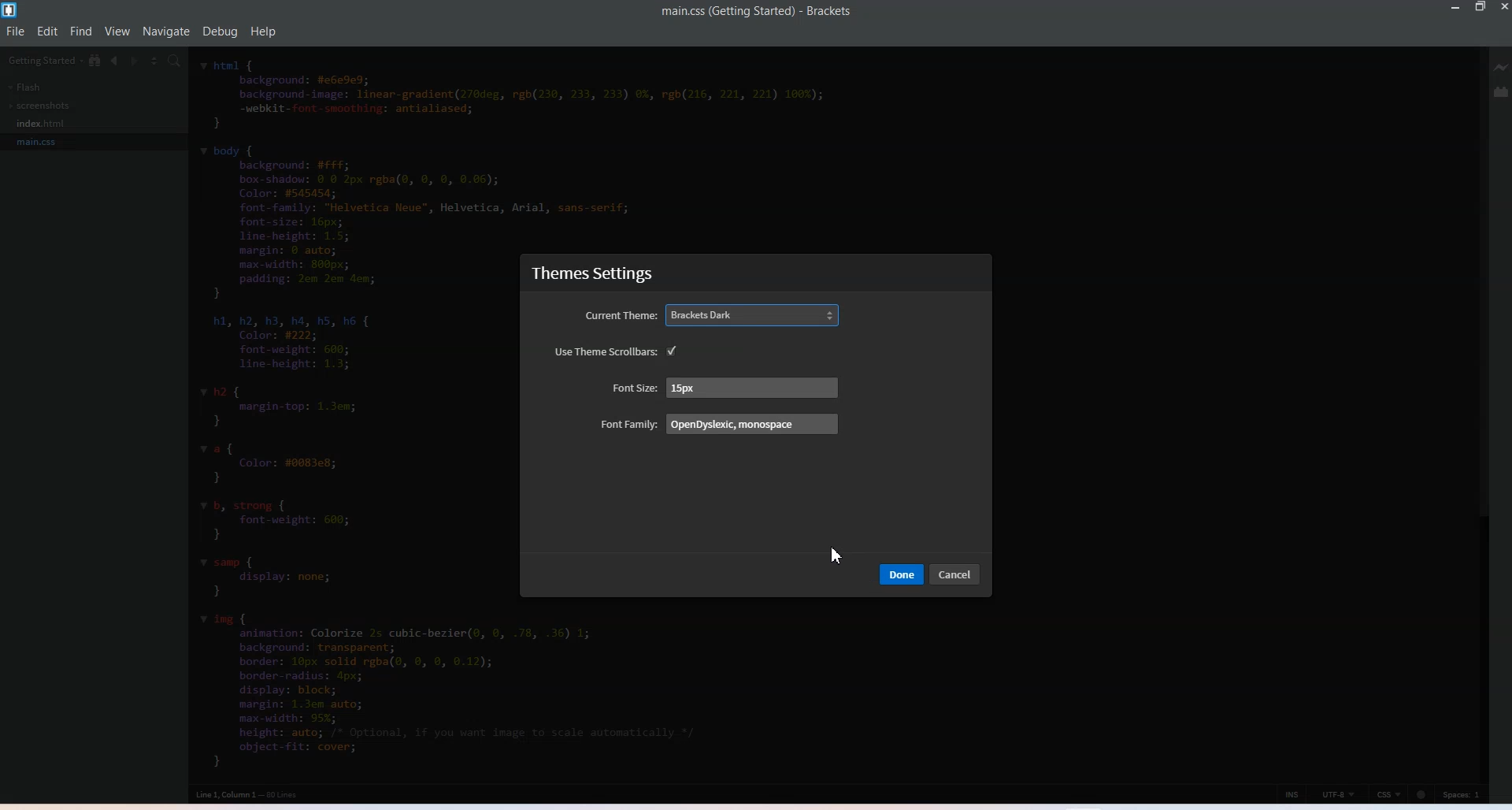  What do you see at coordinates (43, 61) in the screenshot?
I see `getting started` at bounding box center [43, 61].